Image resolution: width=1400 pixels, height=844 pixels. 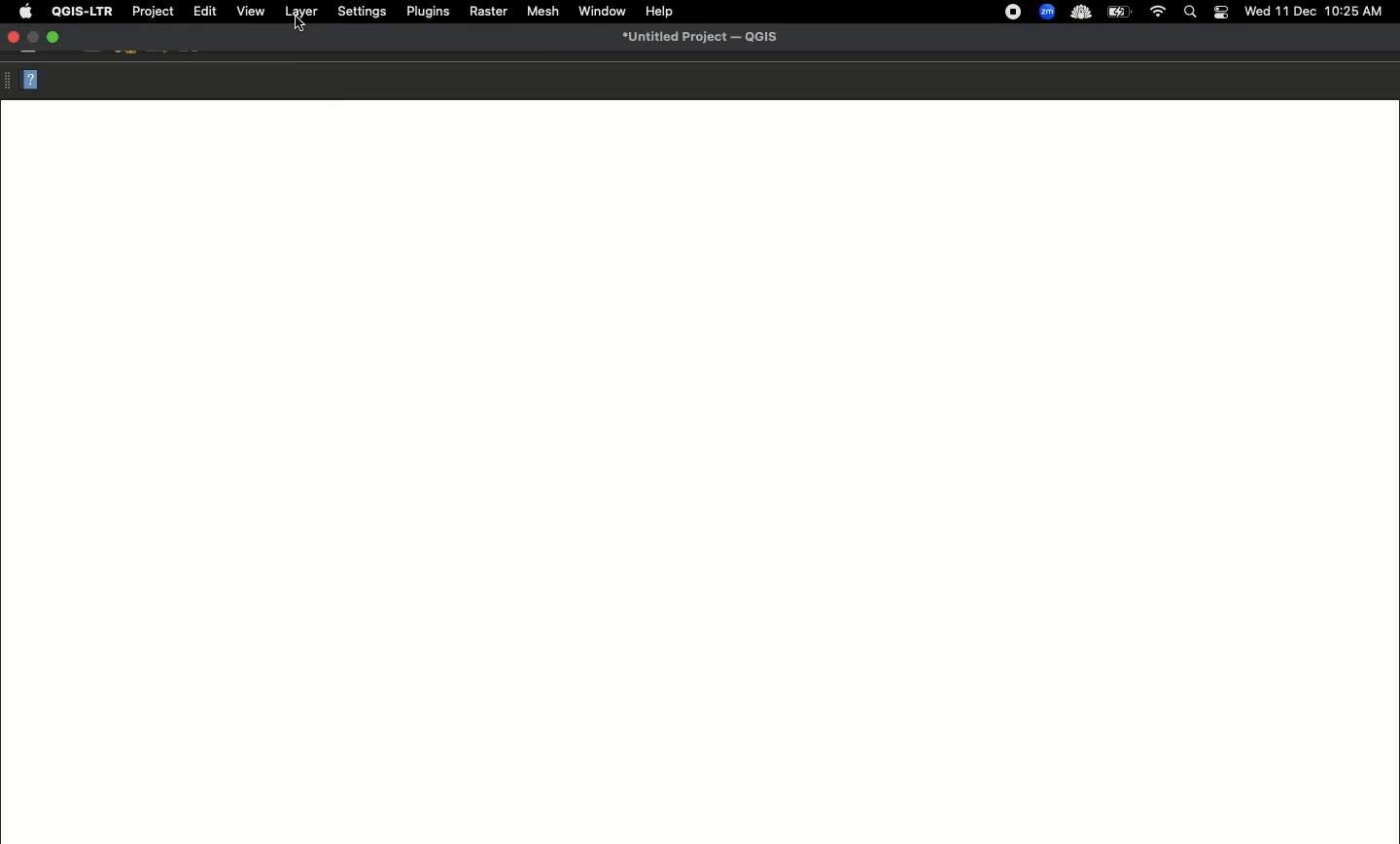 I want to click on zoom, so click(x=1045, y=11).